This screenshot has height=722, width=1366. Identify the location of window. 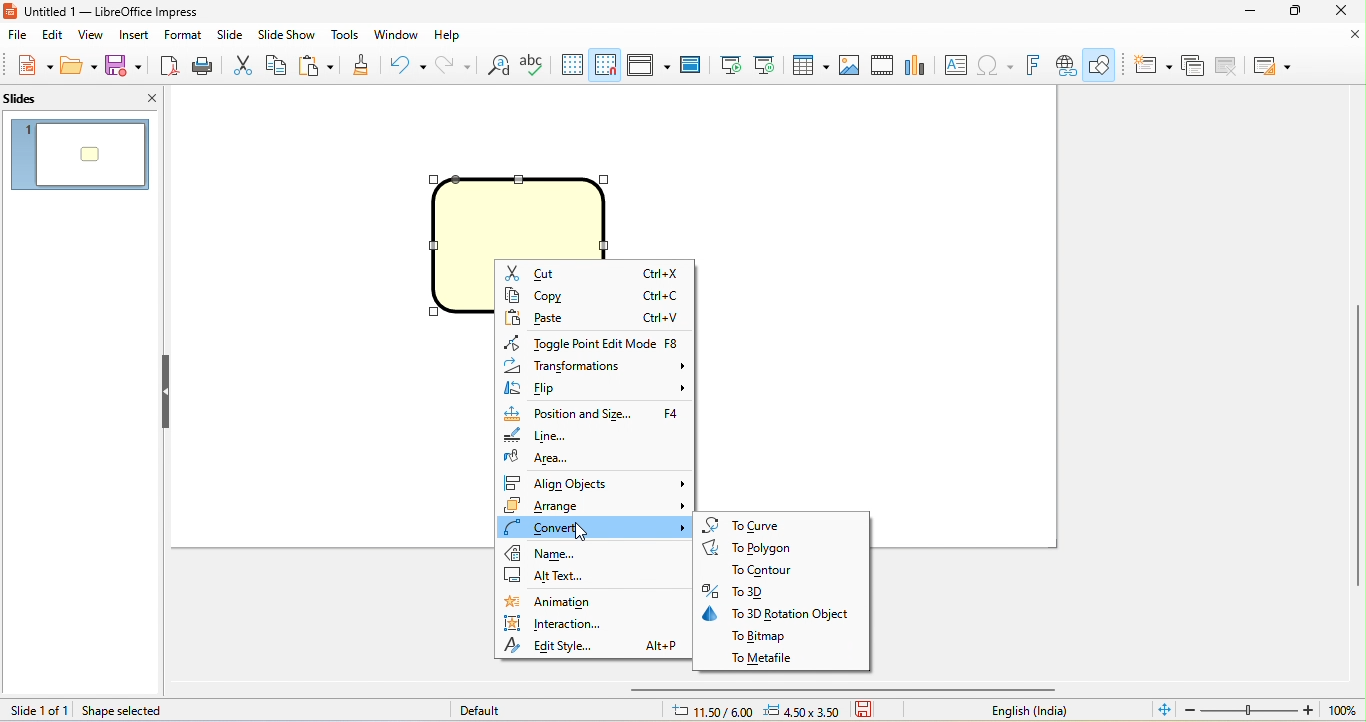
(396, 36).